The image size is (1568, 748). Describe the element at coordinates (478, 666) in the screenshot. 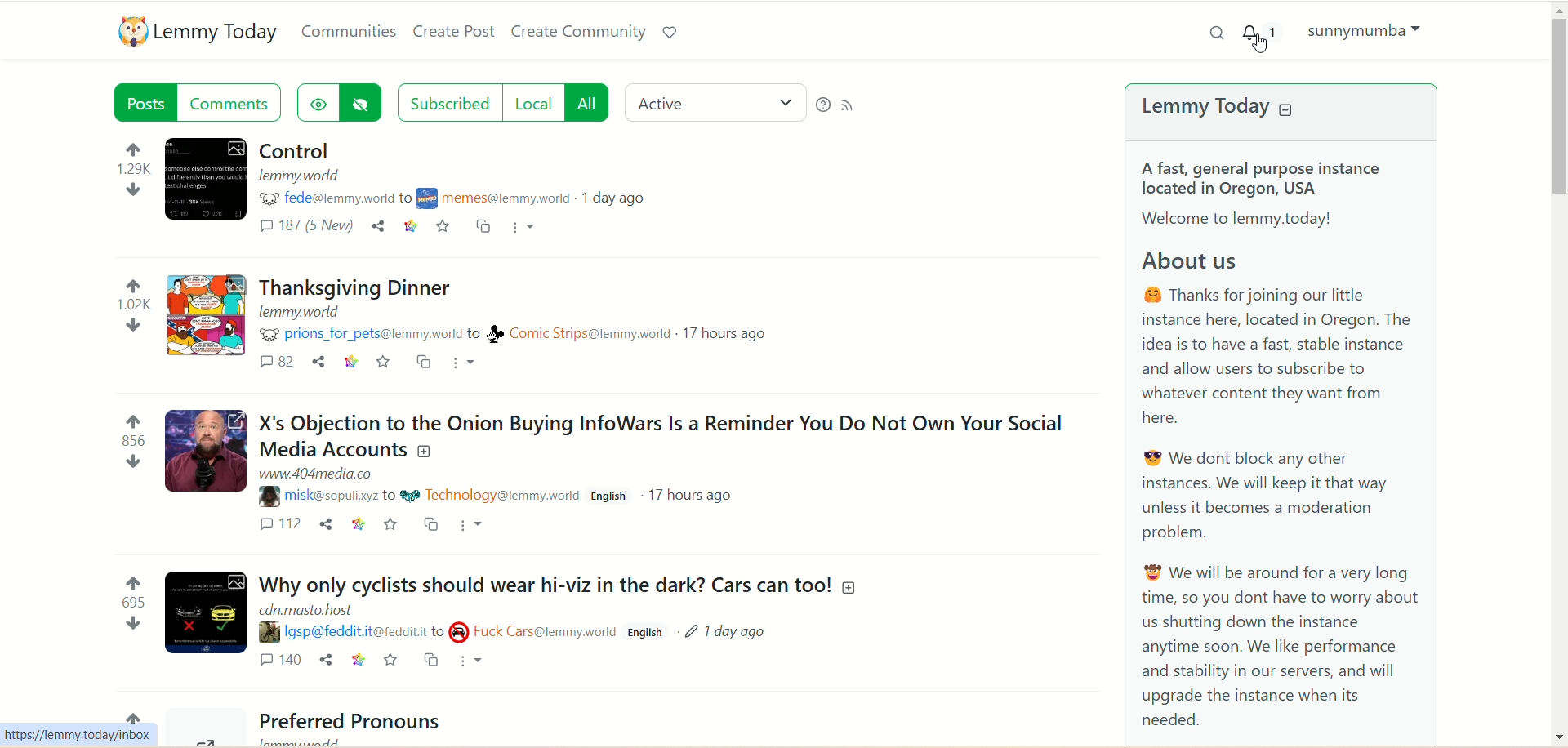

I see `more` at that location.